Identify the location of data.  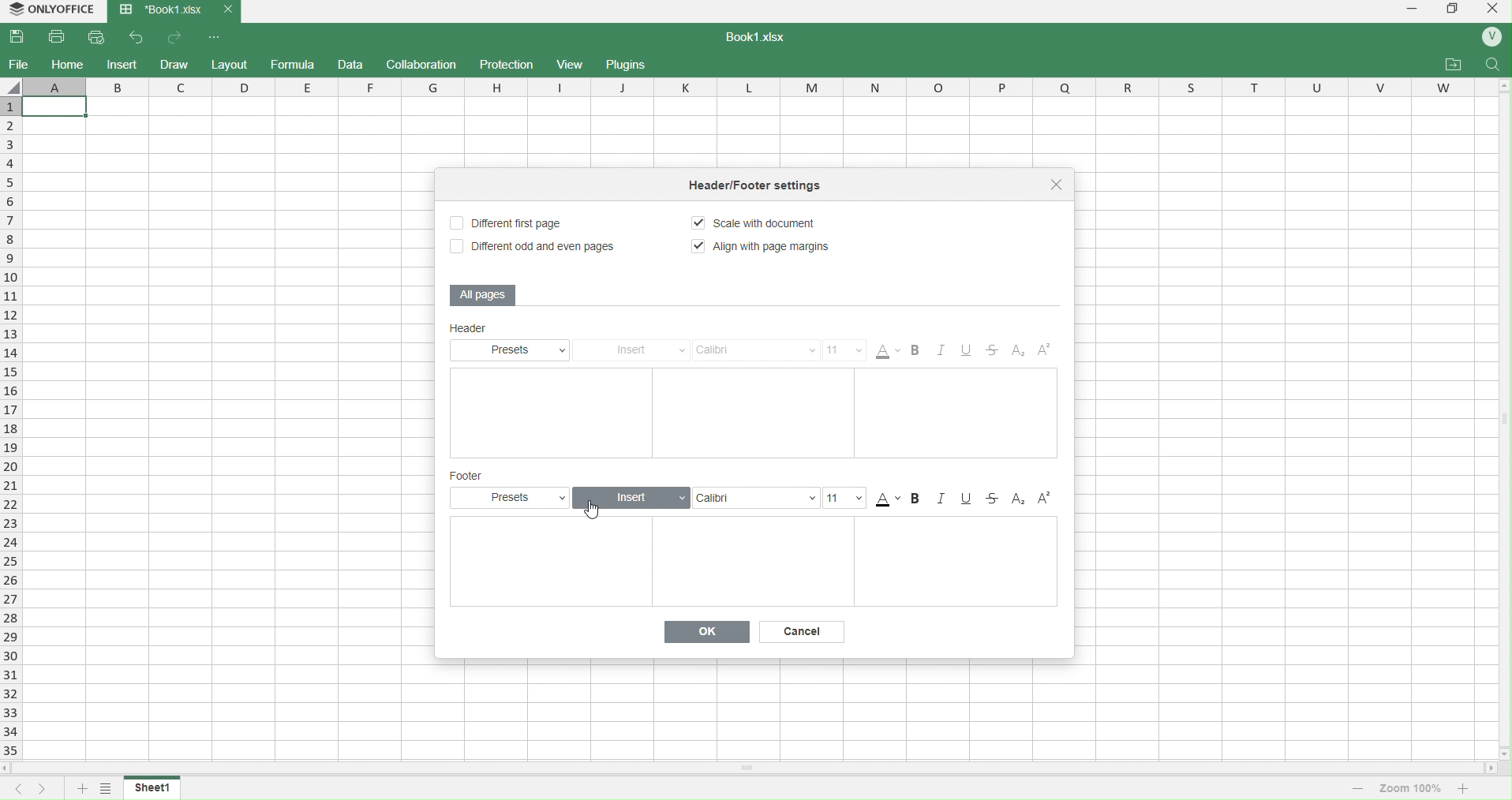
(353, 65).